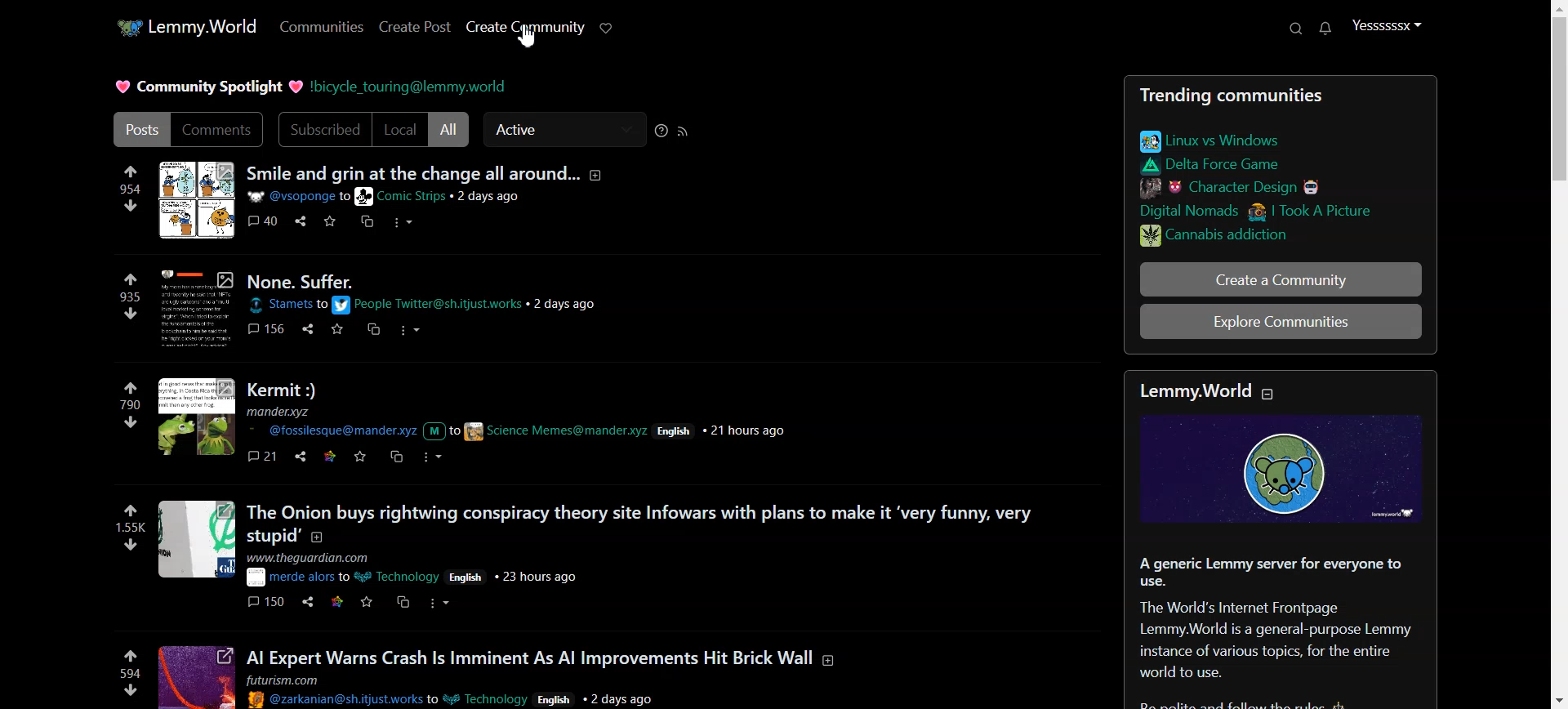 This screenshot has height=709, width=1568. What do you see at coordinates (265, 600) in the screenshot?
I see `comments` at bounding box center [265, 600].